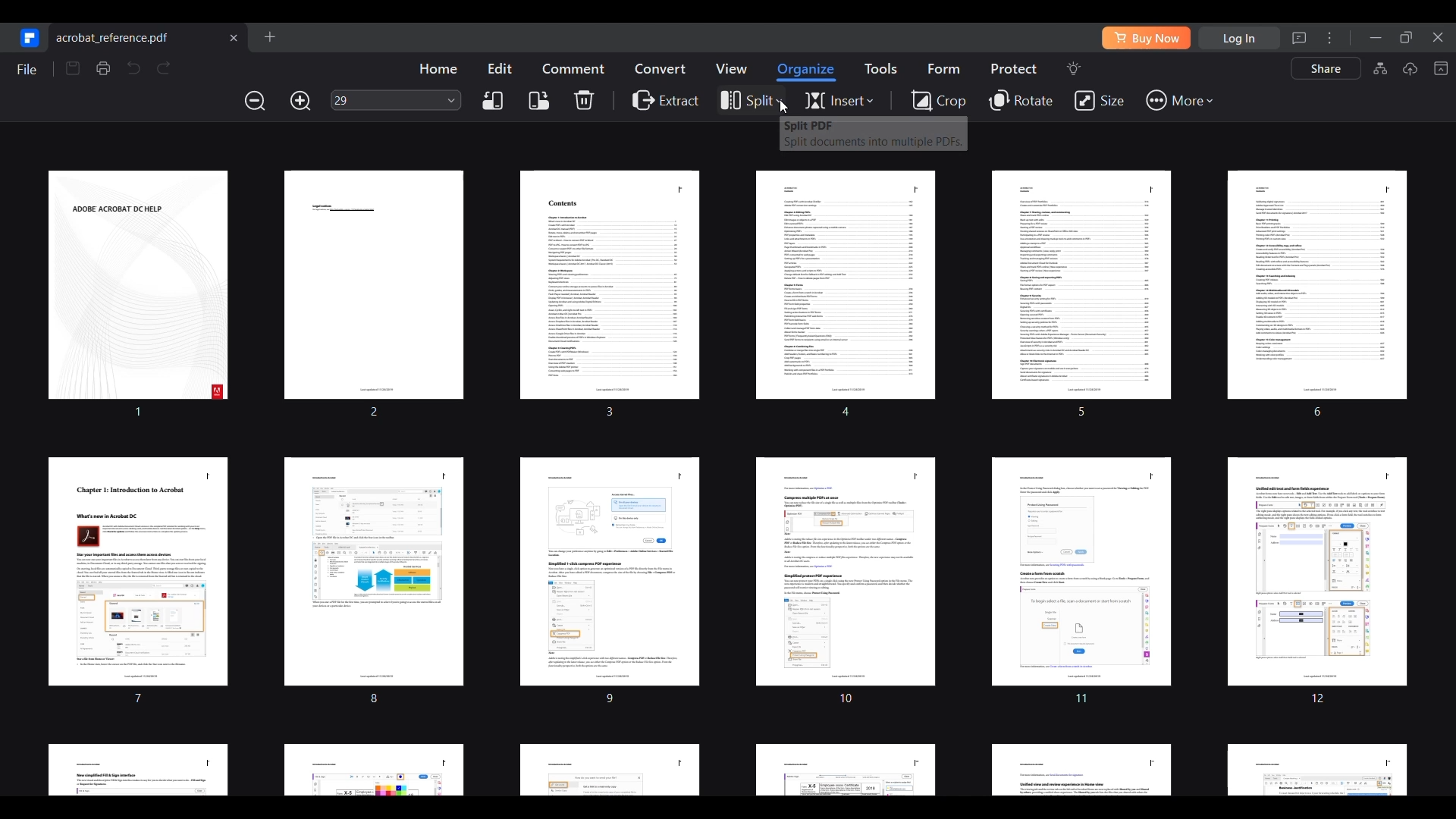  Describe the element at coordinates (300, 101) in the screenshot. I see `Zoom in` at that location.